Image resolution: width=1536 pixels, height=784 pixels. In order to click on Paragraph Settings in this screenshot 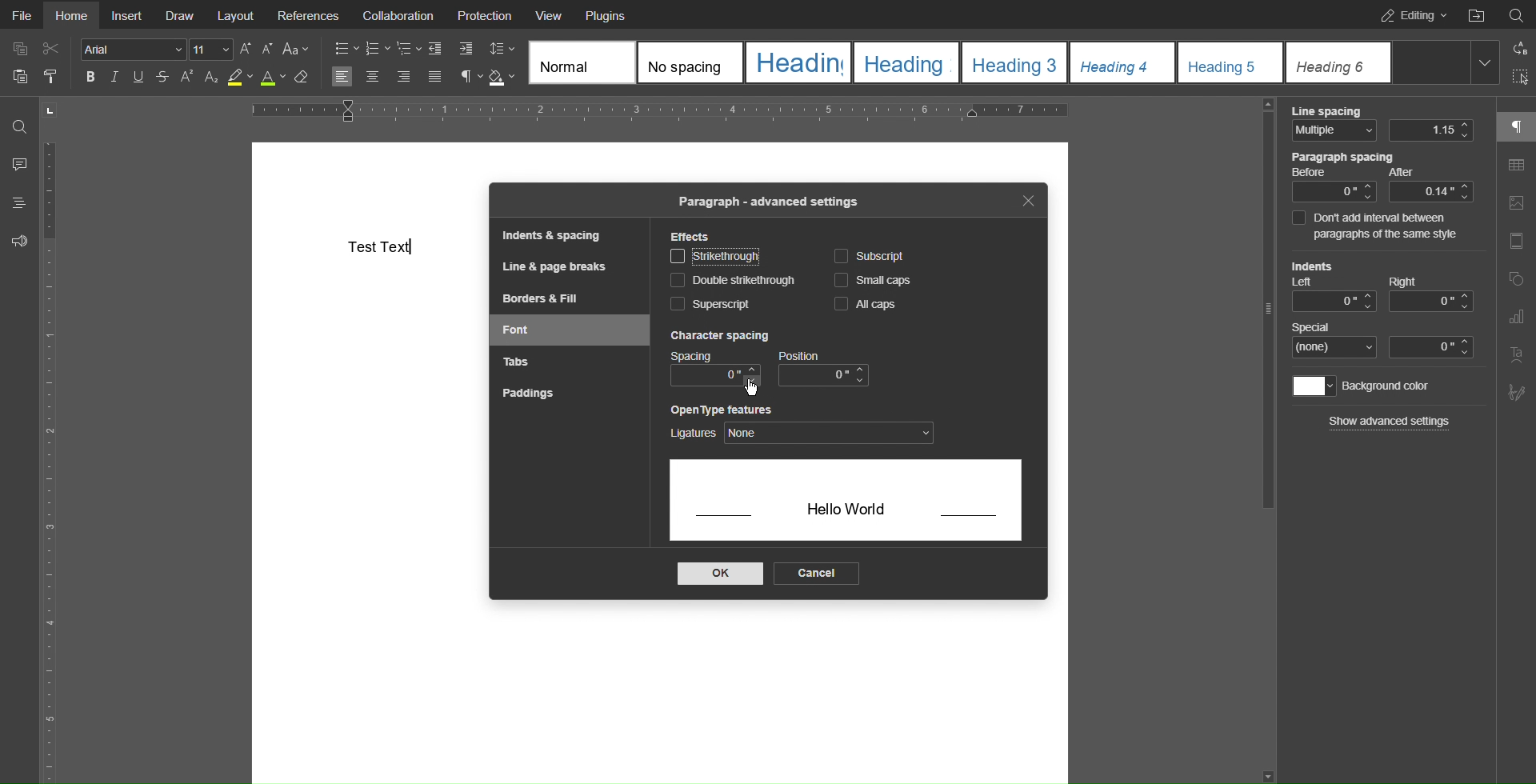, I will do `click(1516, 126)`.